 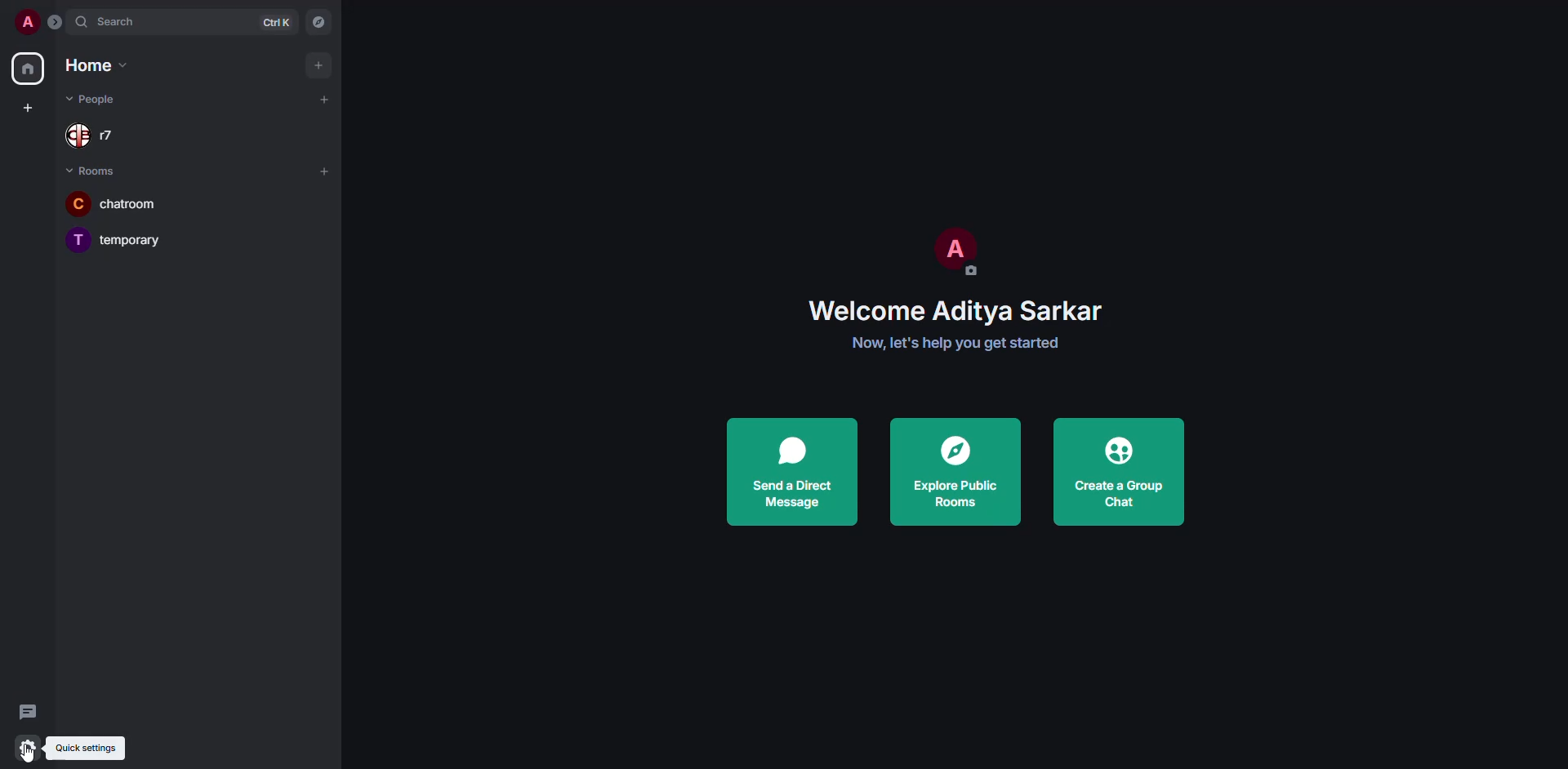 I want to click on get started, so click(x=960, y=342).